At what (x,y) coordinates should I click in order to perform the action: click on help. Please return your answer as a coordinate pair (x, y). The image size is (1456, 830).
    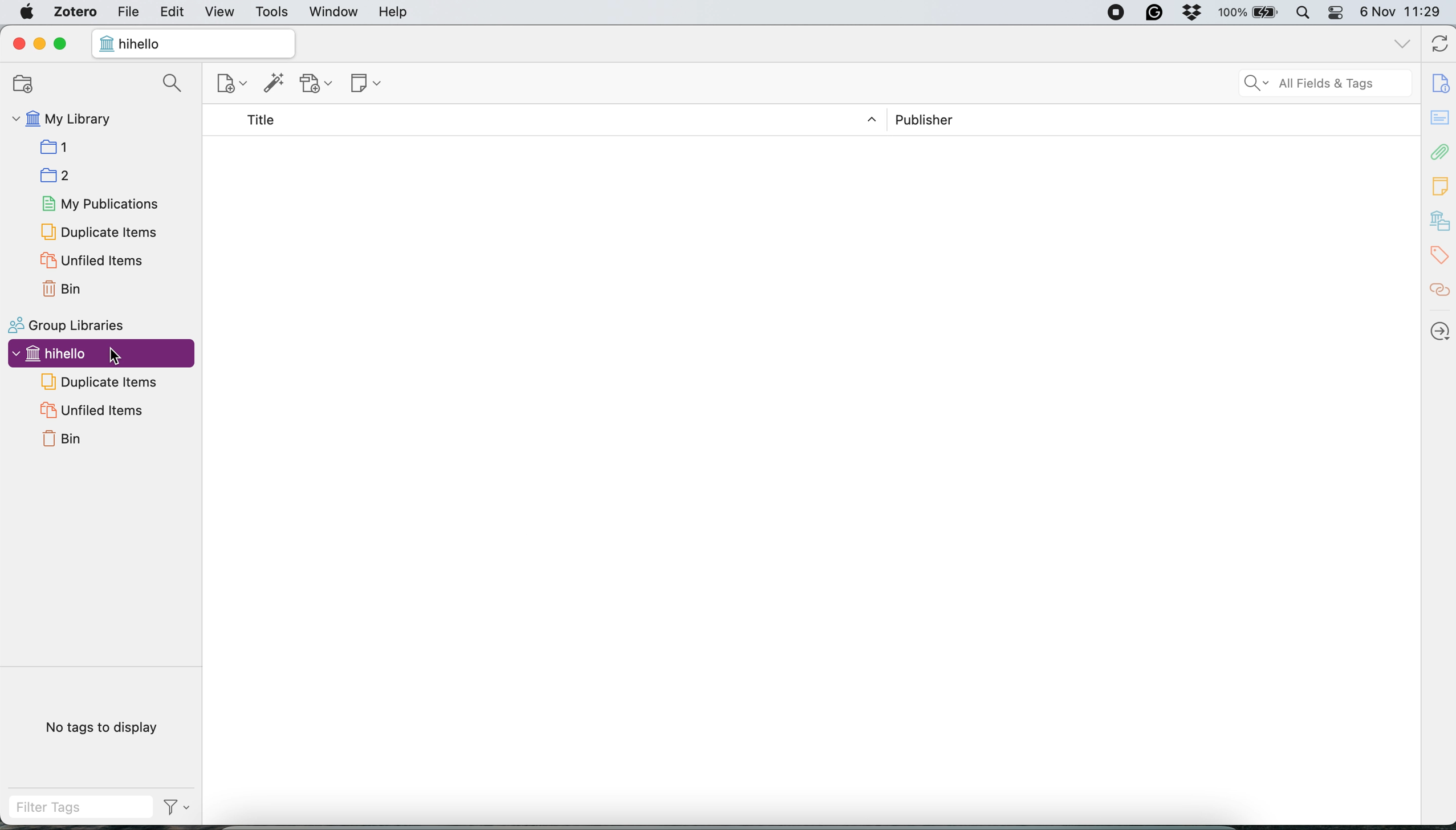
    Looking at the image, I should click on (416, 17).